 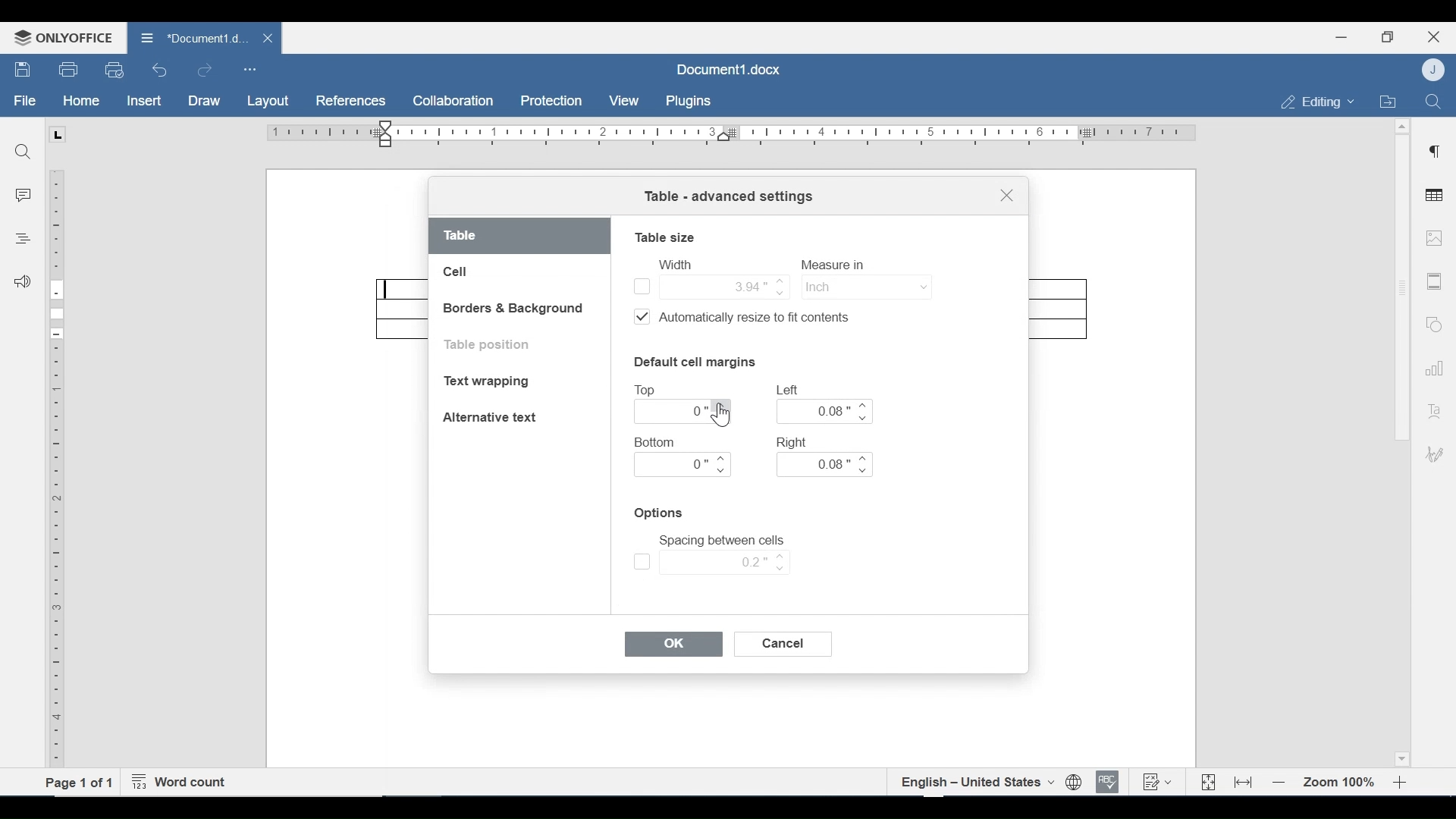 What do you see at coordinates (1244, 781) in the screenshot?
I see `Fit to Width` at bounding box center [1244, 781].